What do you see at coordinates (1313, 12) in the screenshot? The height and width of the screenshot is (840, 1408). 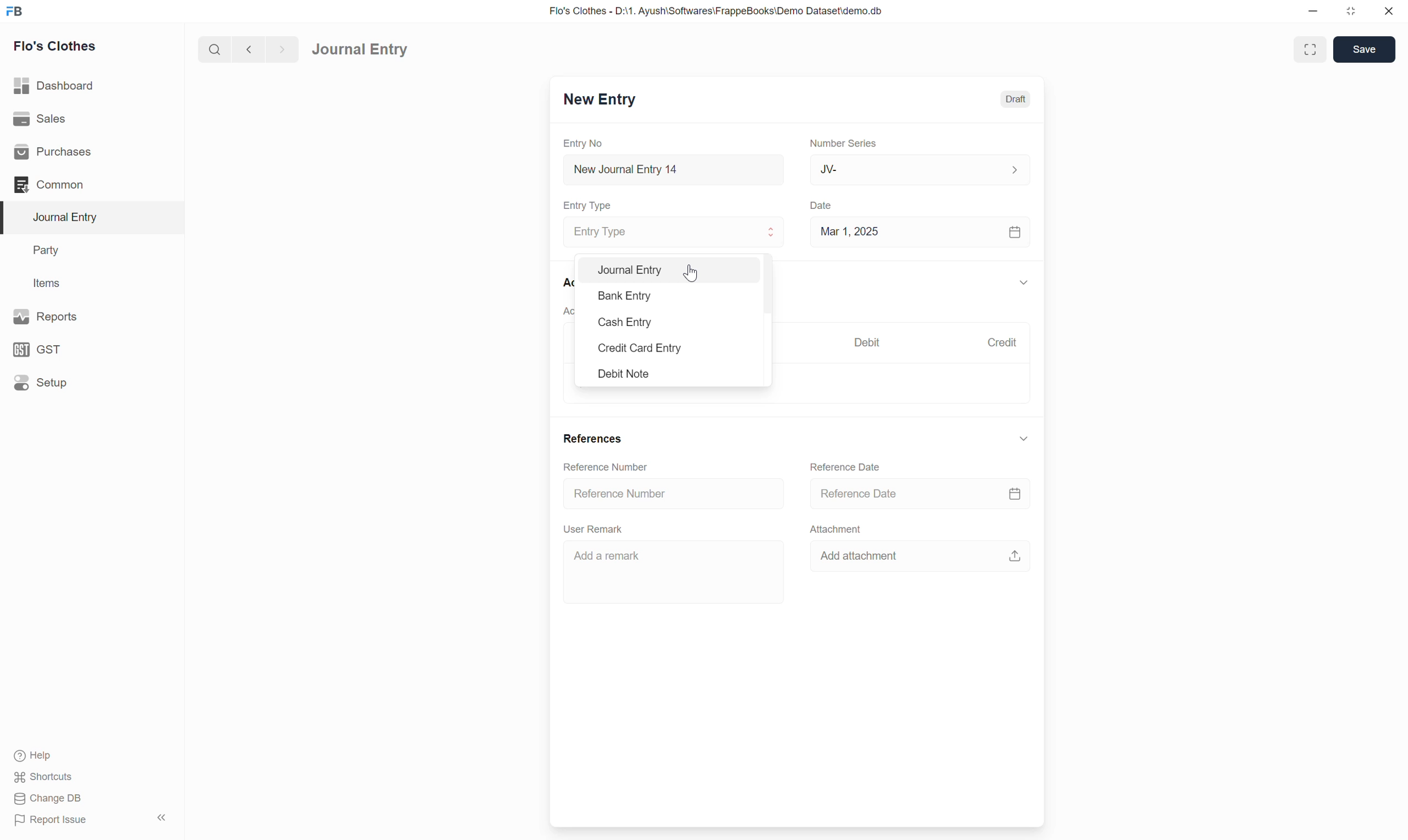 I see `minimize` at bounding box center [1313, 12].